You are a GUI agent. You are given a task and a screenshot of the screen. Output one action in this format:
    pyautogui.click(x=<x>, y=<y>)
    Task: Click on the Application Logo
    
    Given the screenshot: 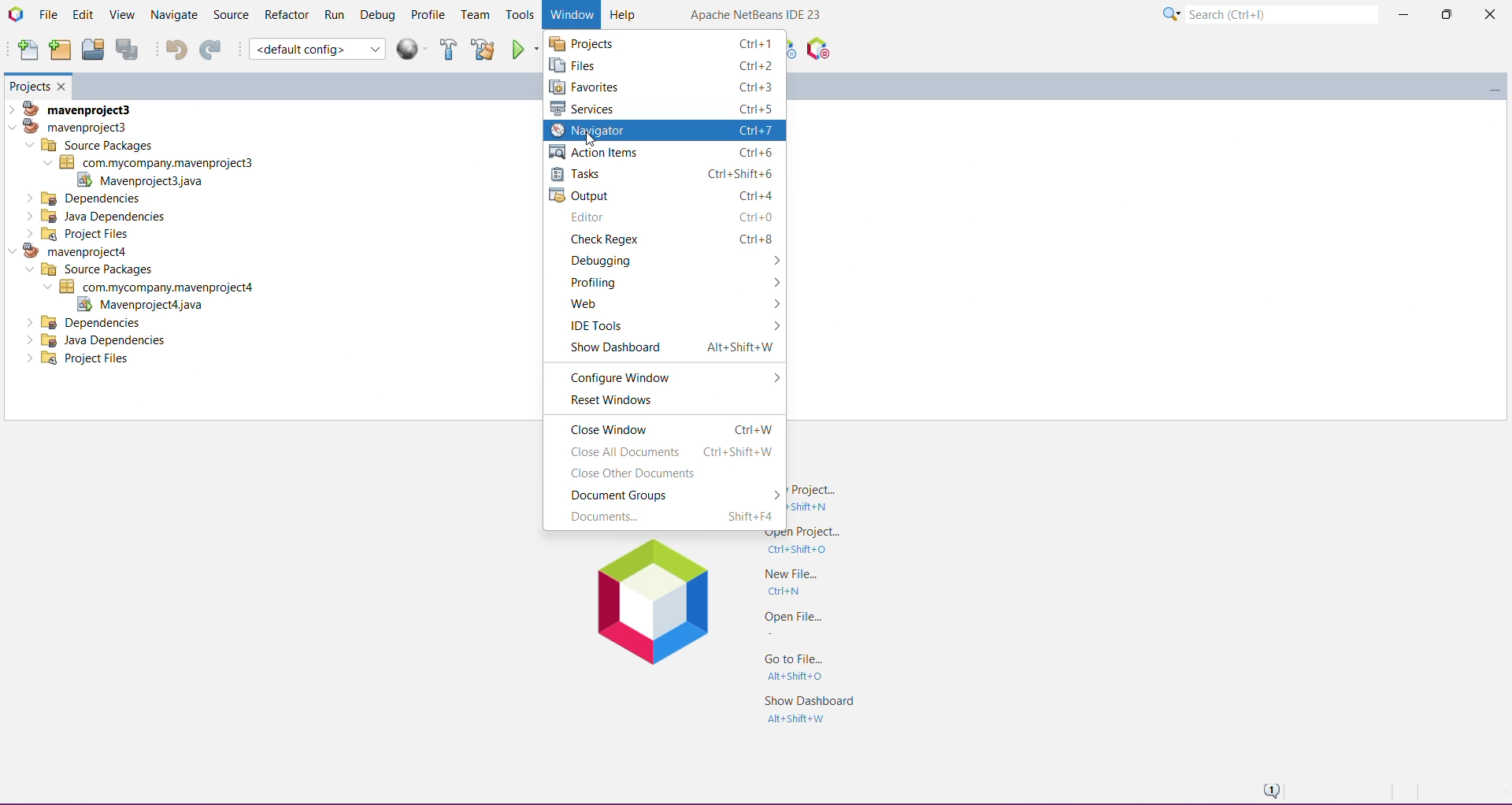 What is the action you would take?
    pyautogui.click(x=15, y=14)
    